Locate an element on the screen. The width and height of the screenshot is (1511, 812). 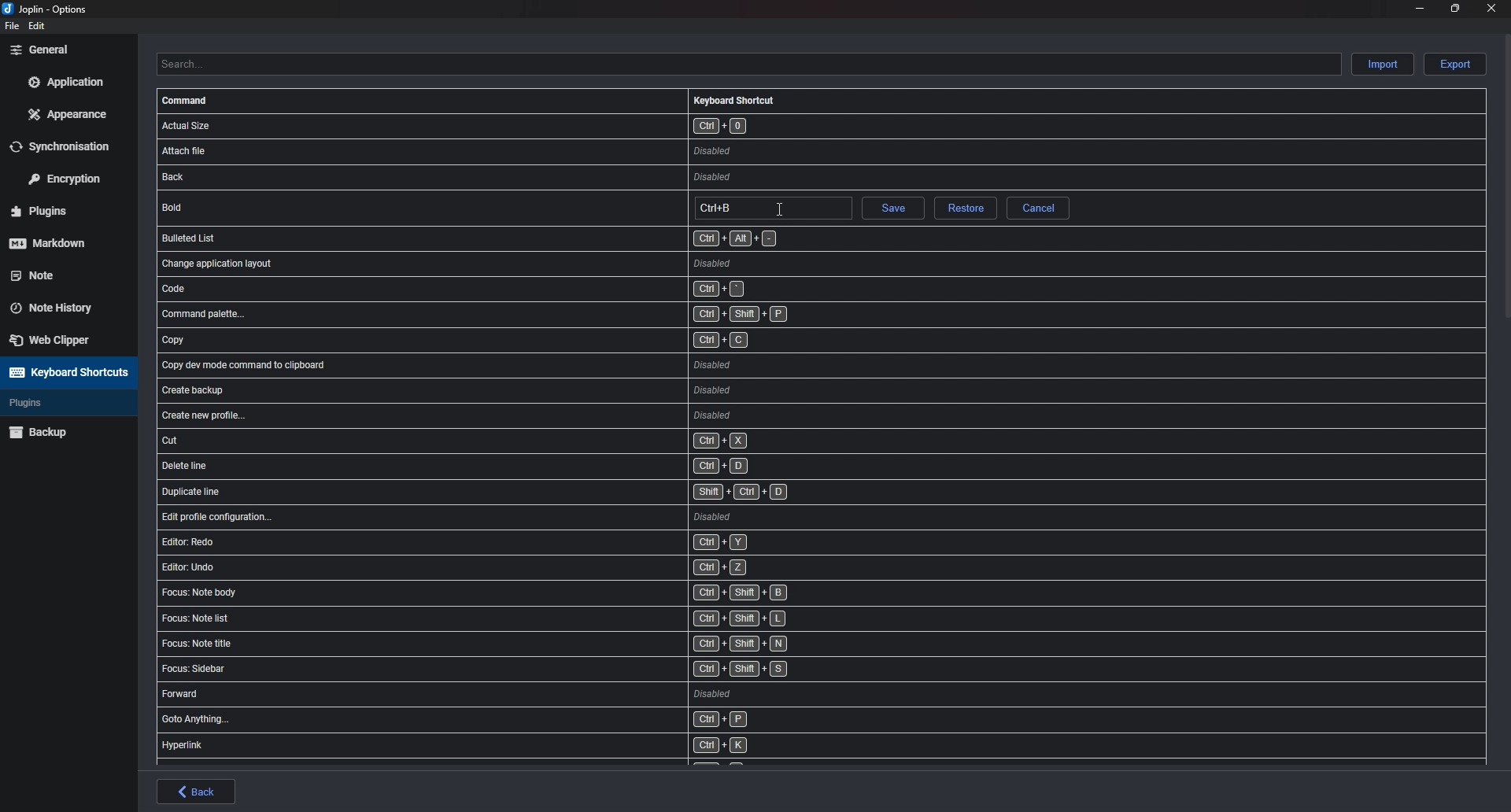
Keyboard shortcut is located at coordinates (734, 100).